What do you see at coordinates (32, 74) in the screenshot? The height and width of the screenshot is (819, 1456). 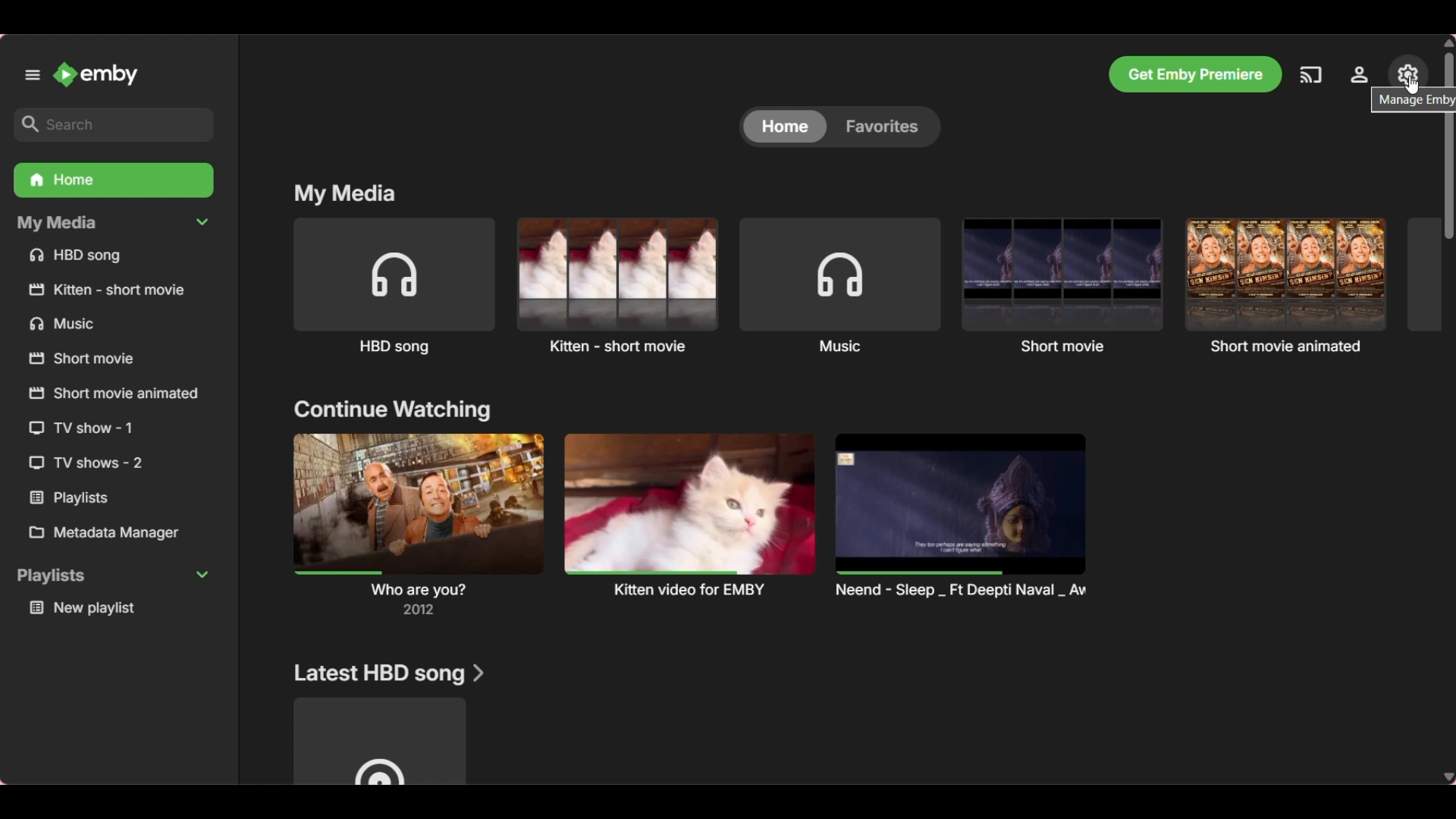 I see `Unpin left panel` at bounding box center [32, 74].